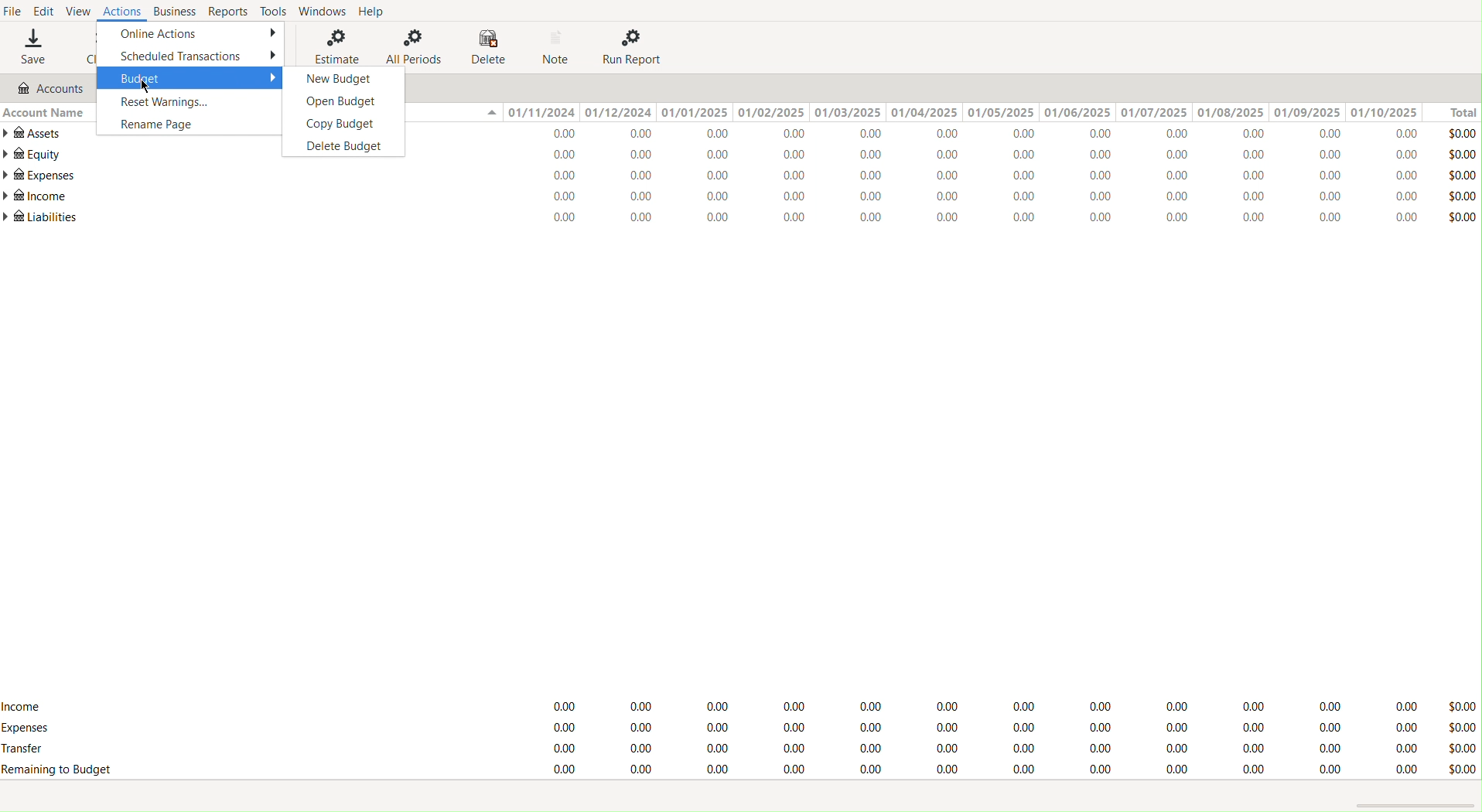 The height and width of the screenshot is (812, 1482). Describe the element at coordinates (559, 47) in the screenshot. I see `Note` at that location.